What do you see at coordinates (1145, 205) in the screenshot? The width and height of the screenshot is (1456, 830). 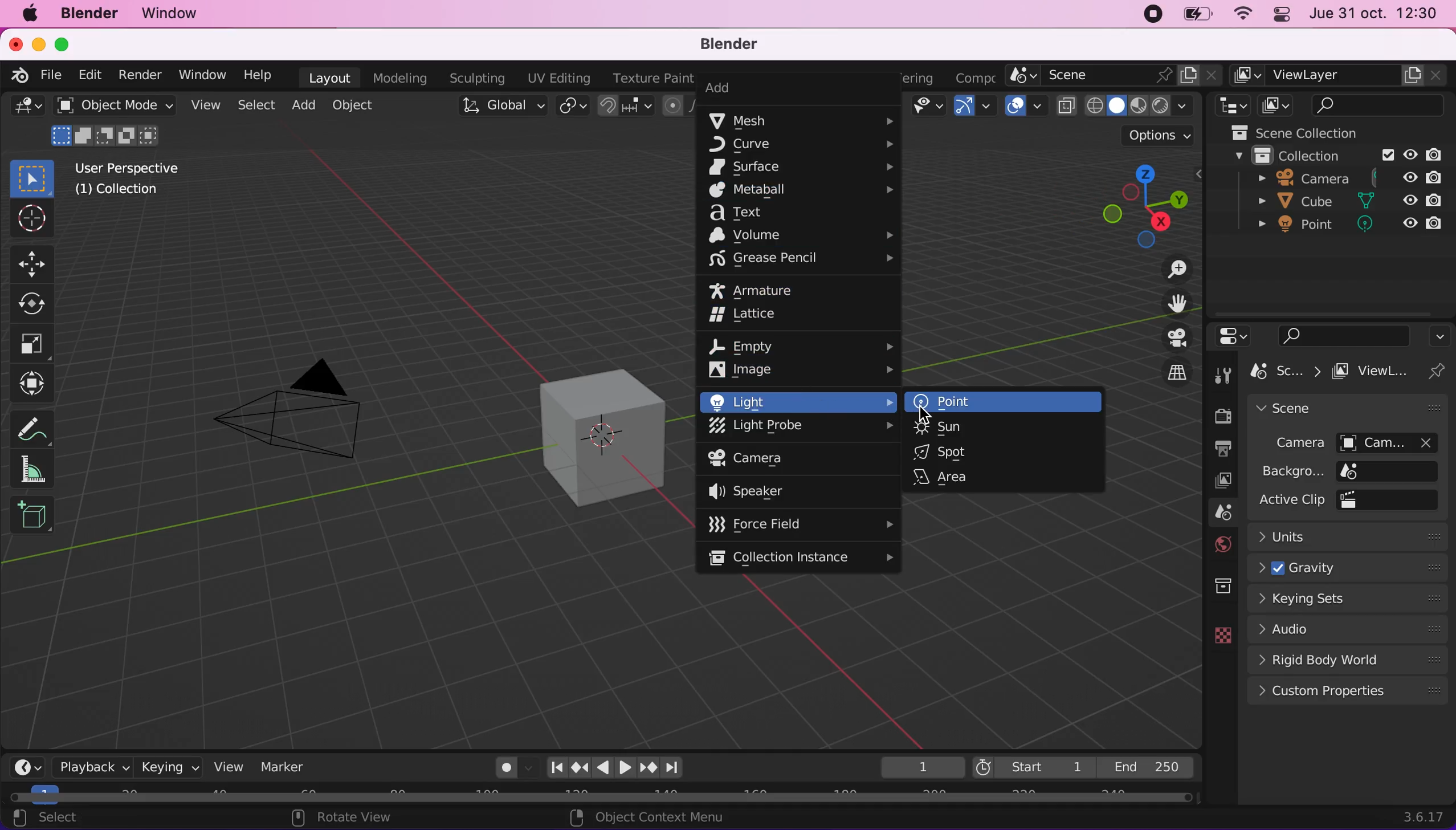 I see `click, shortcut, drag` at bounding box center [1145, 205].